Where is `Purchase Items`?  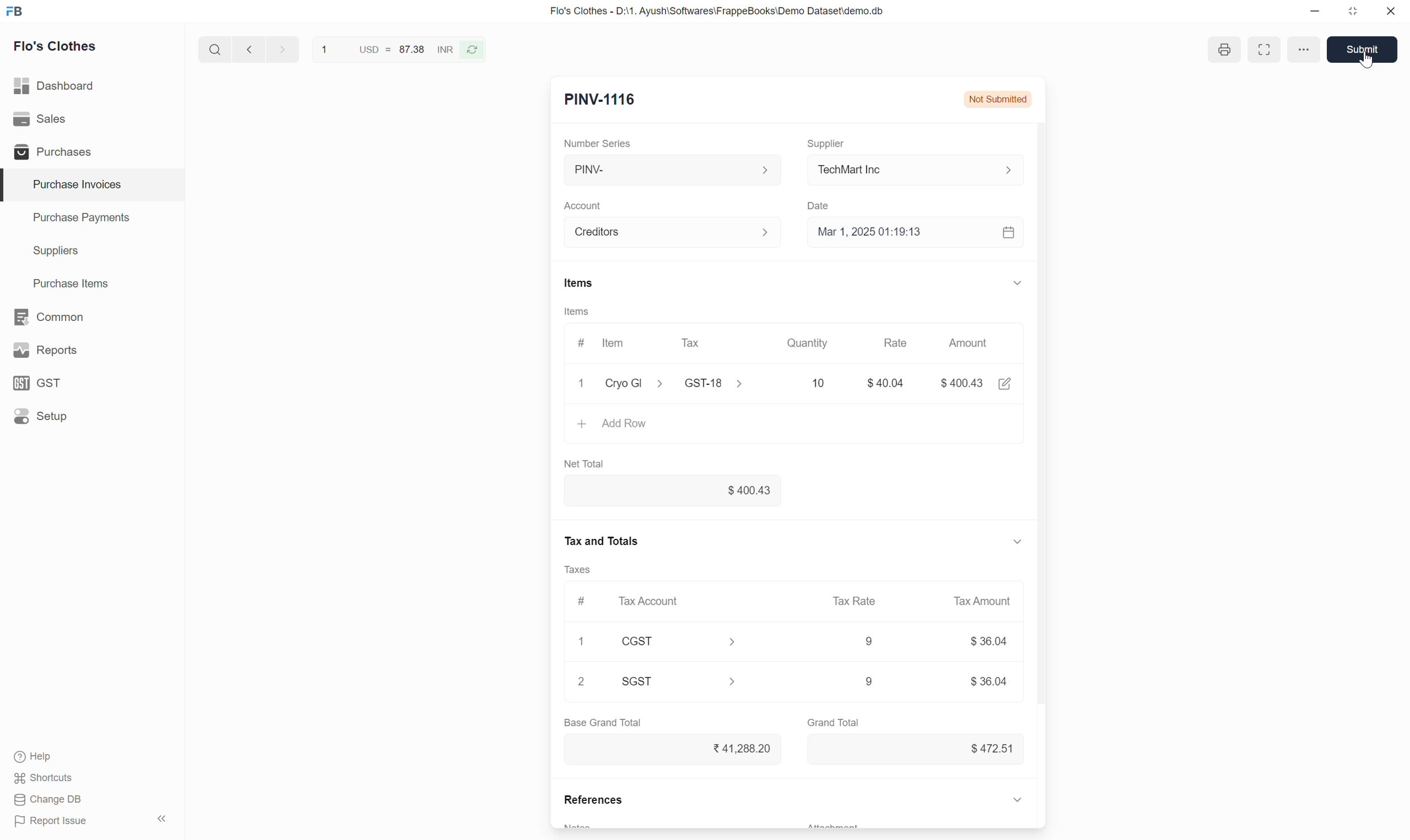 Purchase Items is located at coordinates (65, 281).